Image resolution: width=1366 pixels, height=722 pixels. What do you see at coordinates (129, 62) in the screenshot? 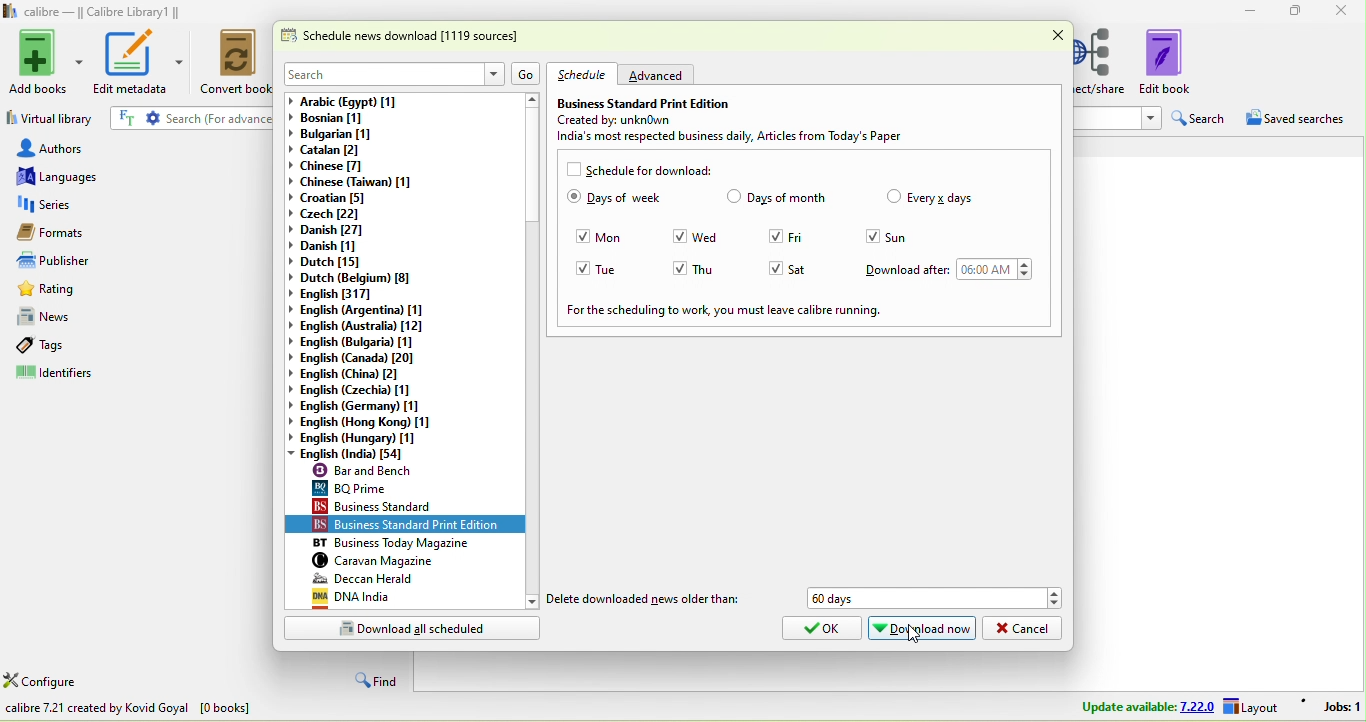
I see `edit metadata` at bounding box center [129, 62].